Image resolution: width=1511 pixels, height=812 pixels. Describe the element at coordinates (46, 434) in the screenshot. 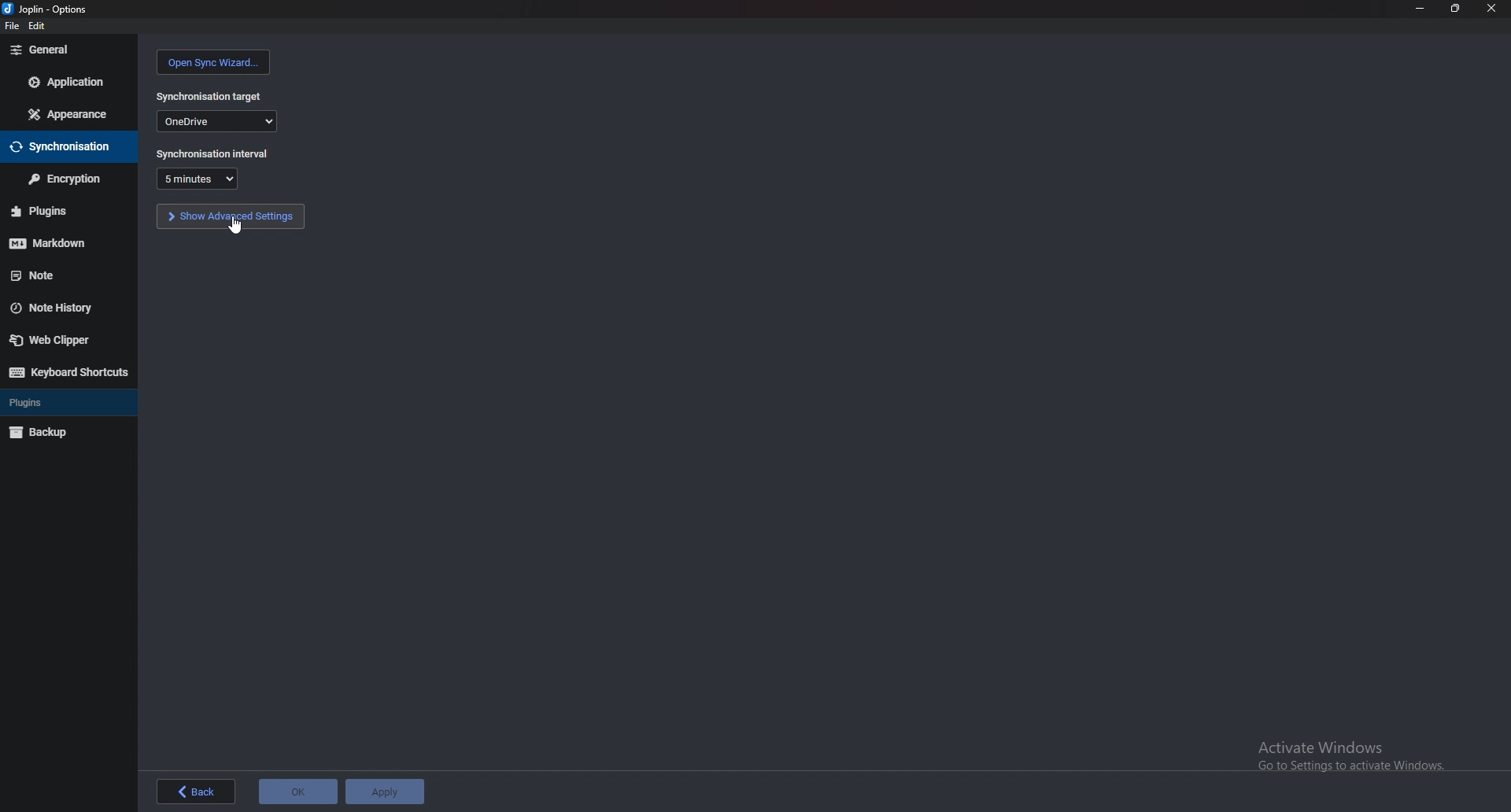

I see `backup` at that location.